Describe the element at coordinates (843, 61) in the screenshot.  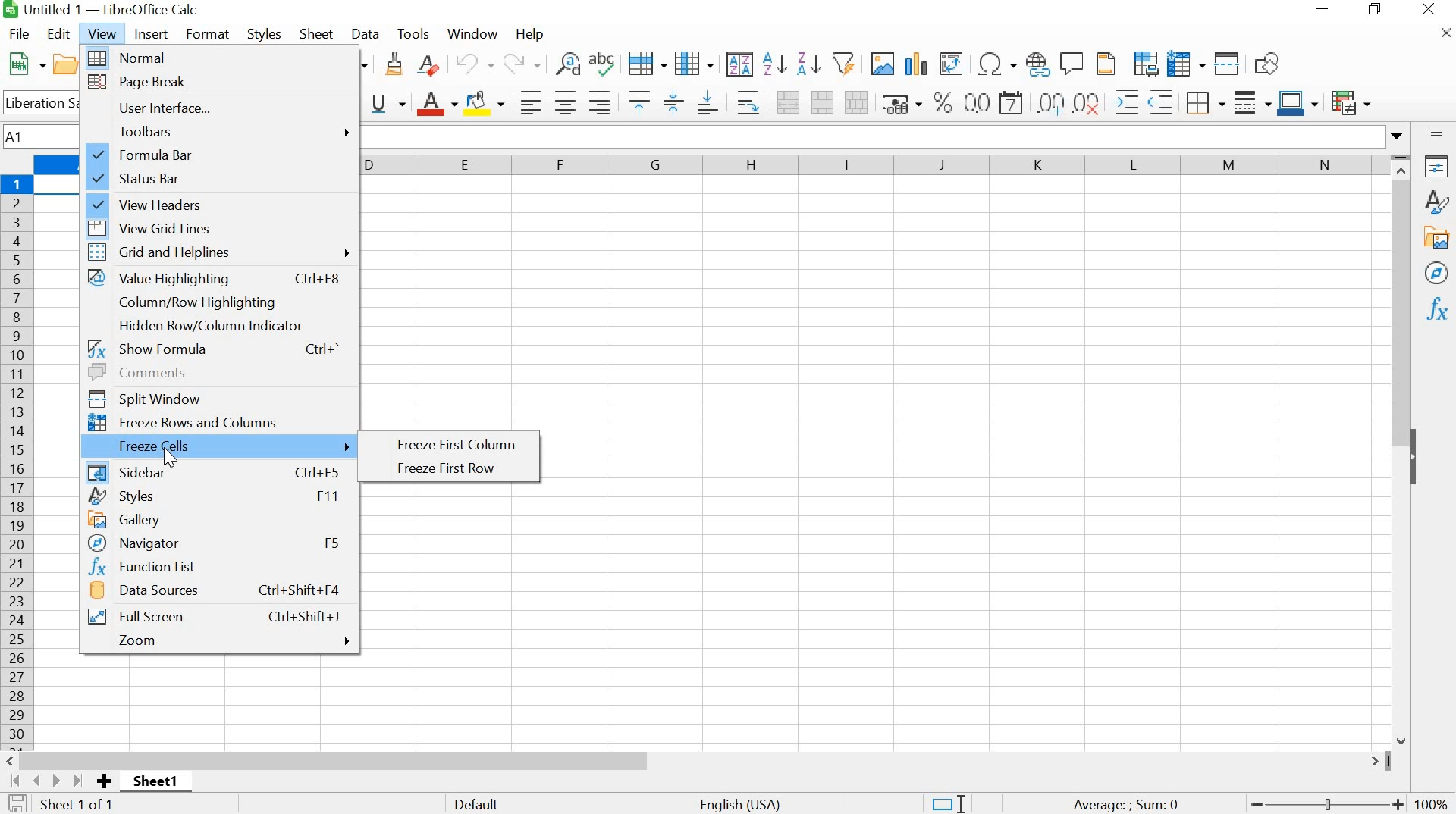
I see `AUTOFILTER` at that location.